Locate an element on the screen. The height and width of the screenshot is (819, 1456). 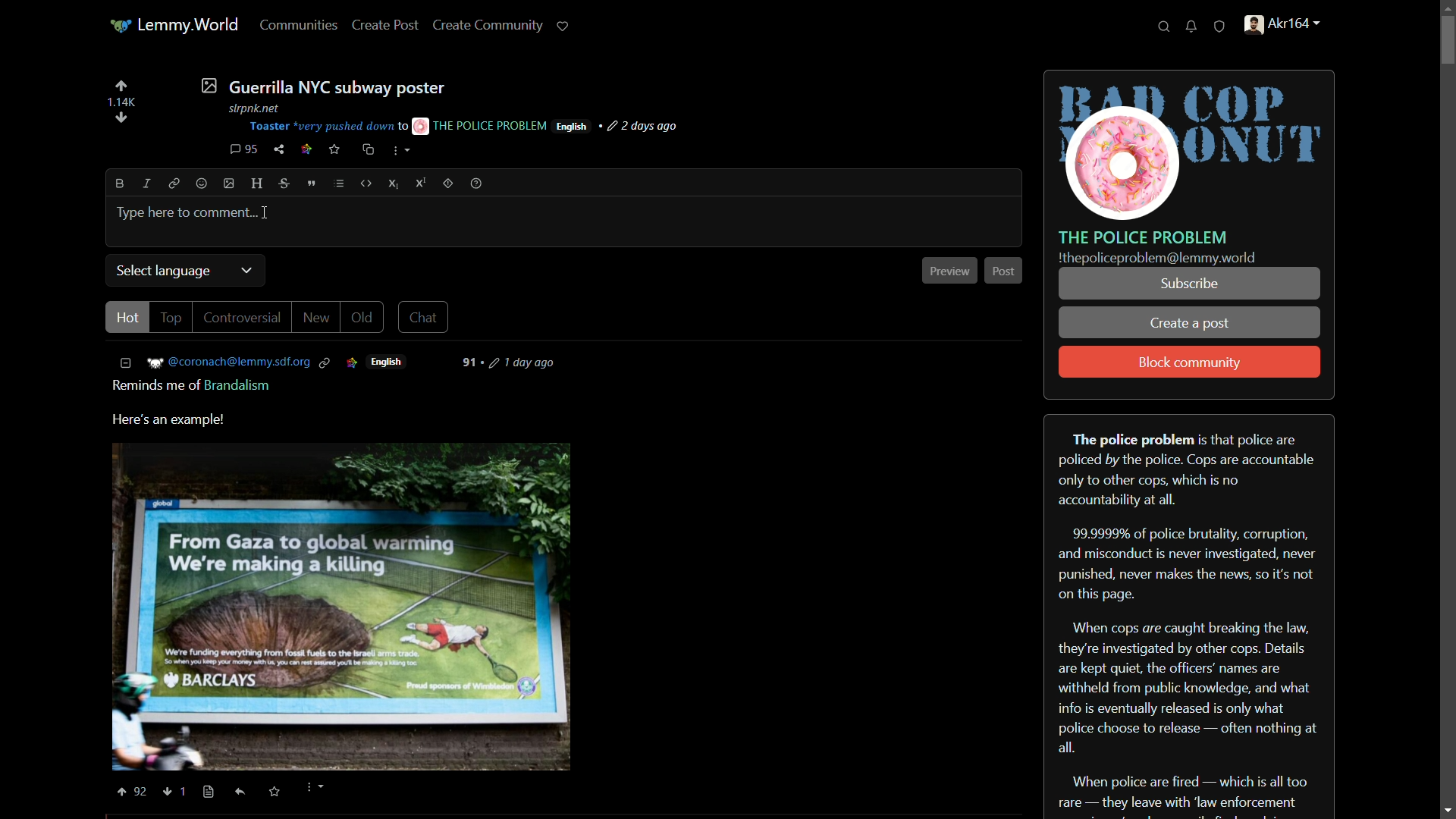
diwnvote is located at coordinates (121, 119).